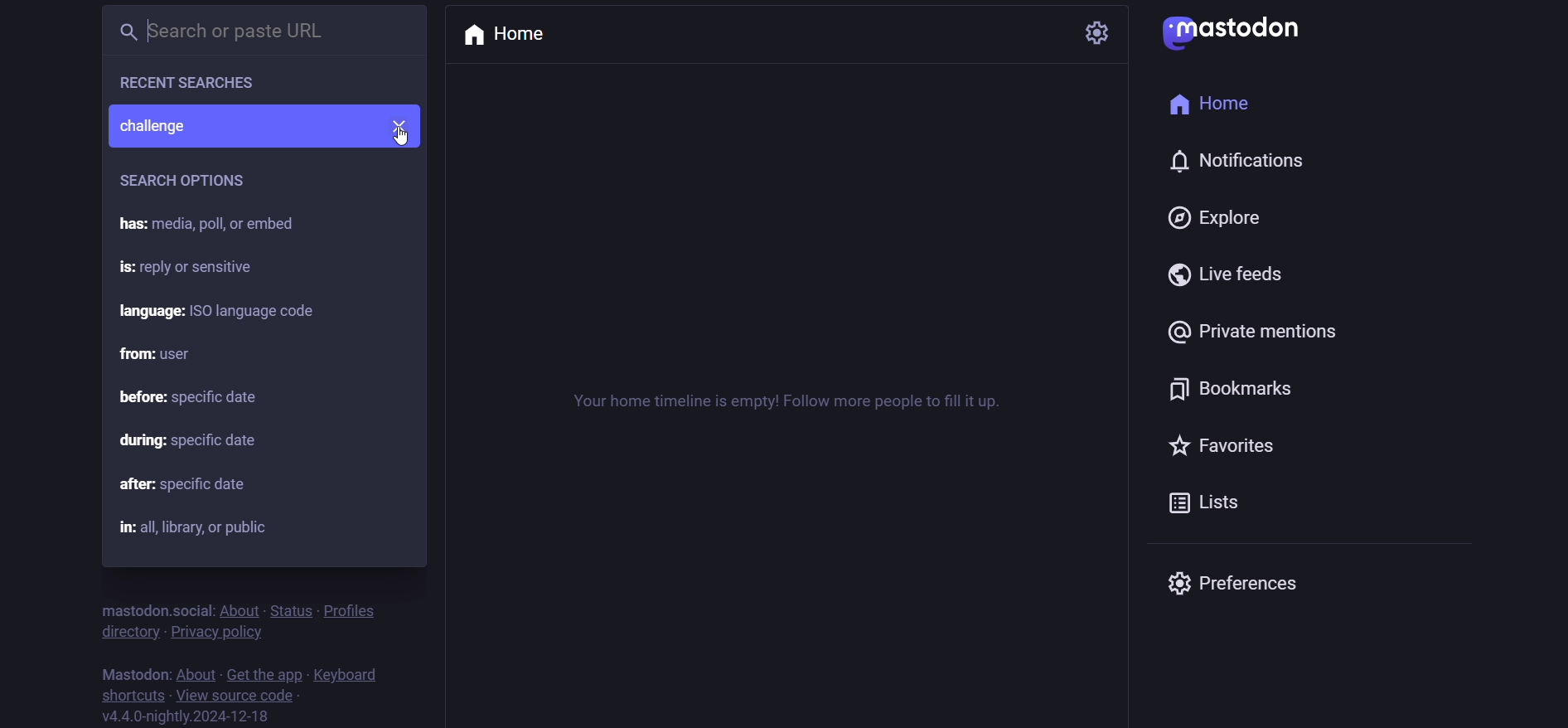 This screenshot has height=728, width=1568. I want to click on favorite, so click(1221, 443).